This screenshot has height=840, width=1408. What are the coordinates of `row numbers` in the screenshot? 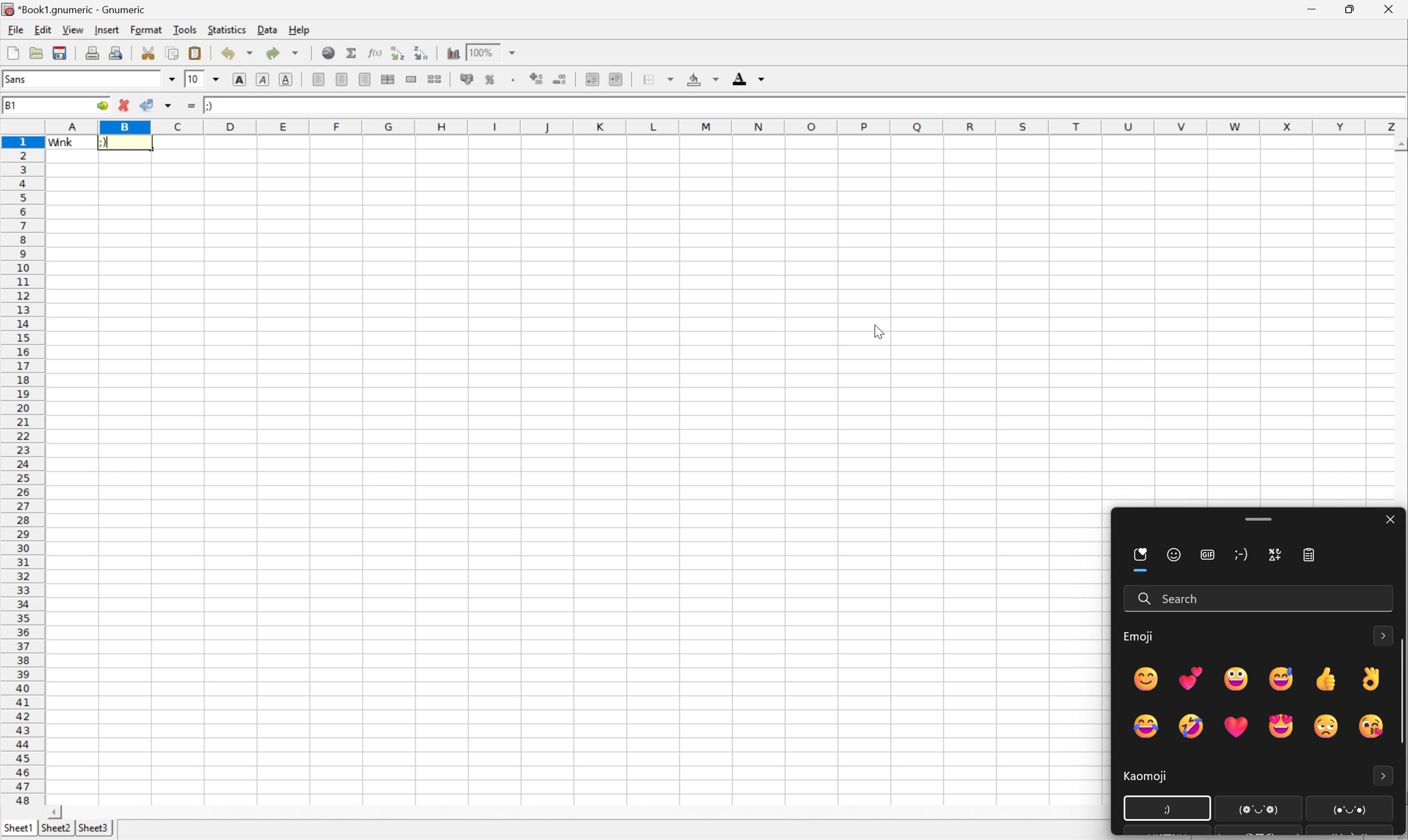 It's located at (25, 474).